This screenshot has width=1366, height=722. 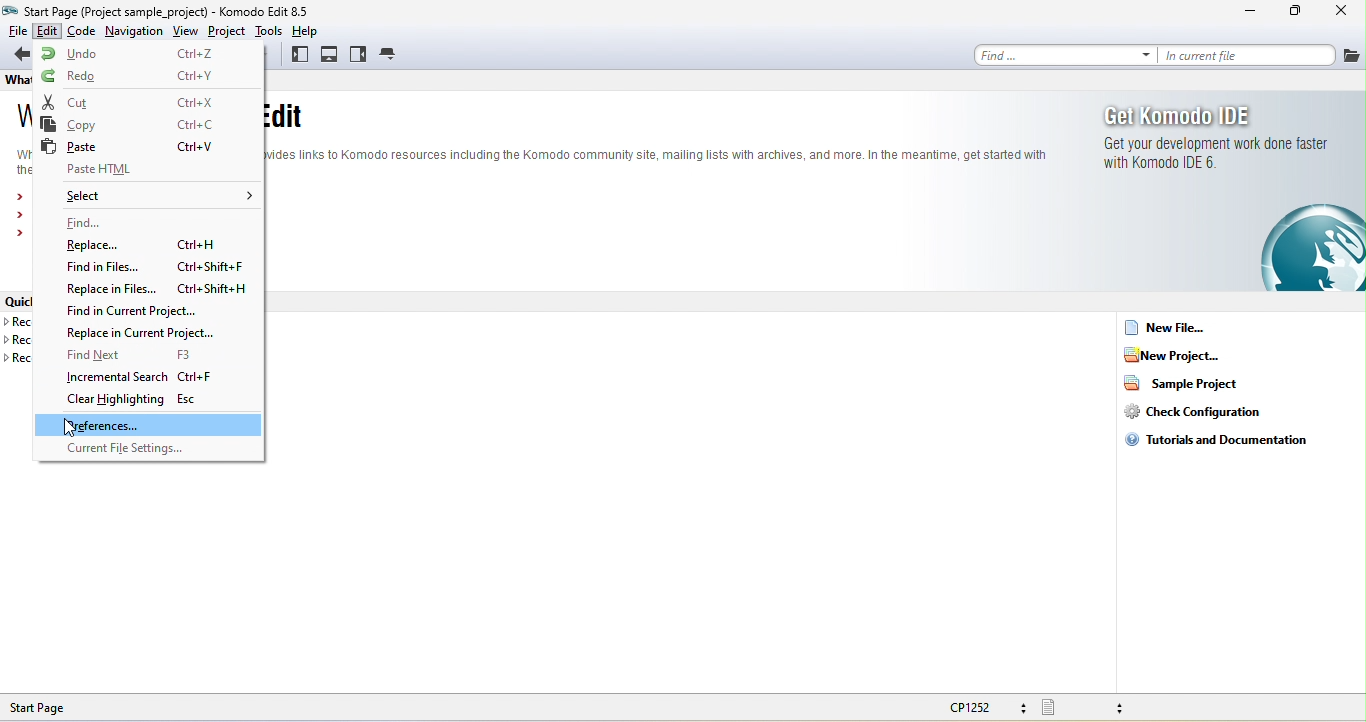 What do you see at coordinates (984, 707) in the screenshot?
I see `cp1252` at bounding box center [984, 707].